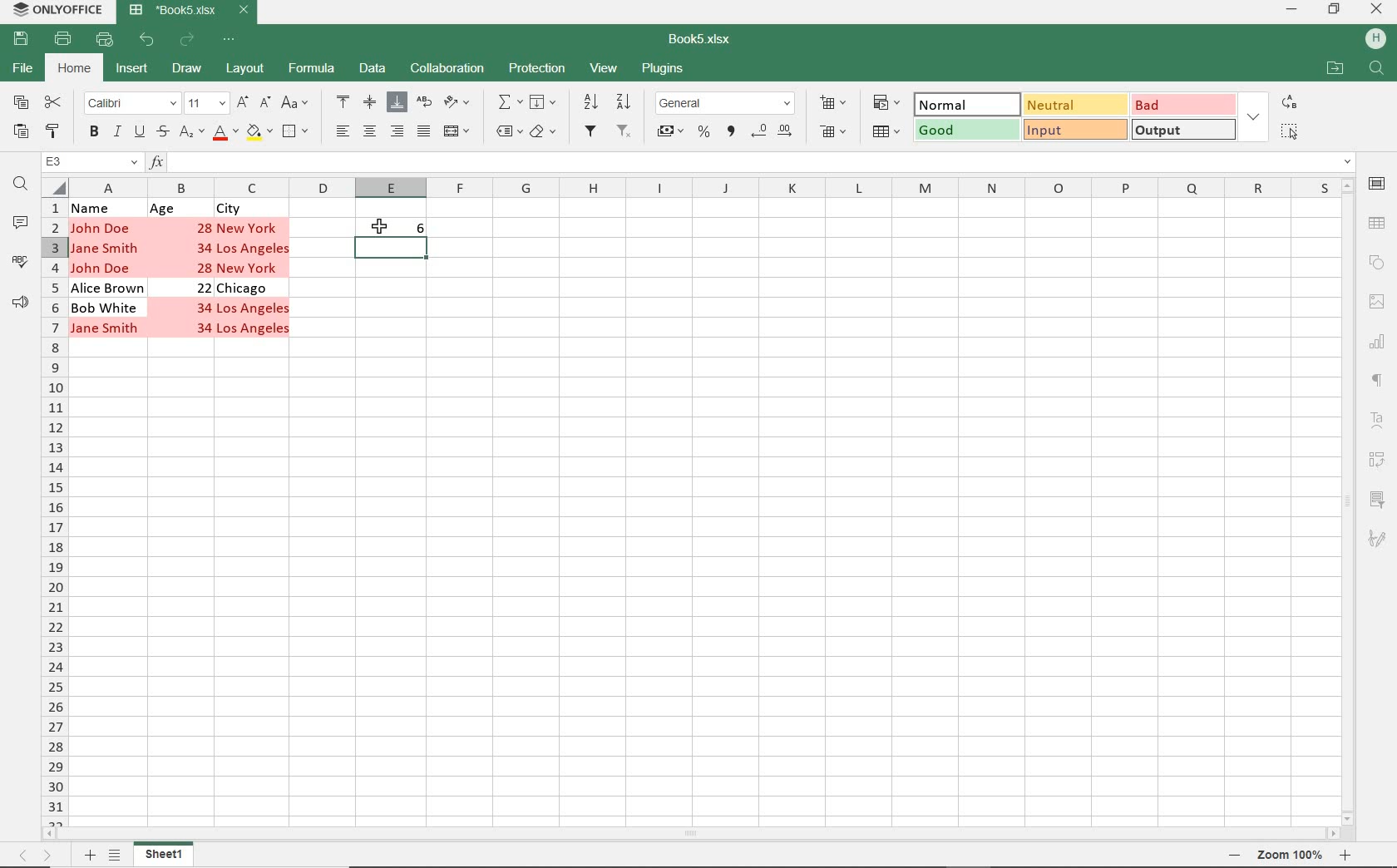  I want to click on Zoom out or zoom in, so click(1291, 854).